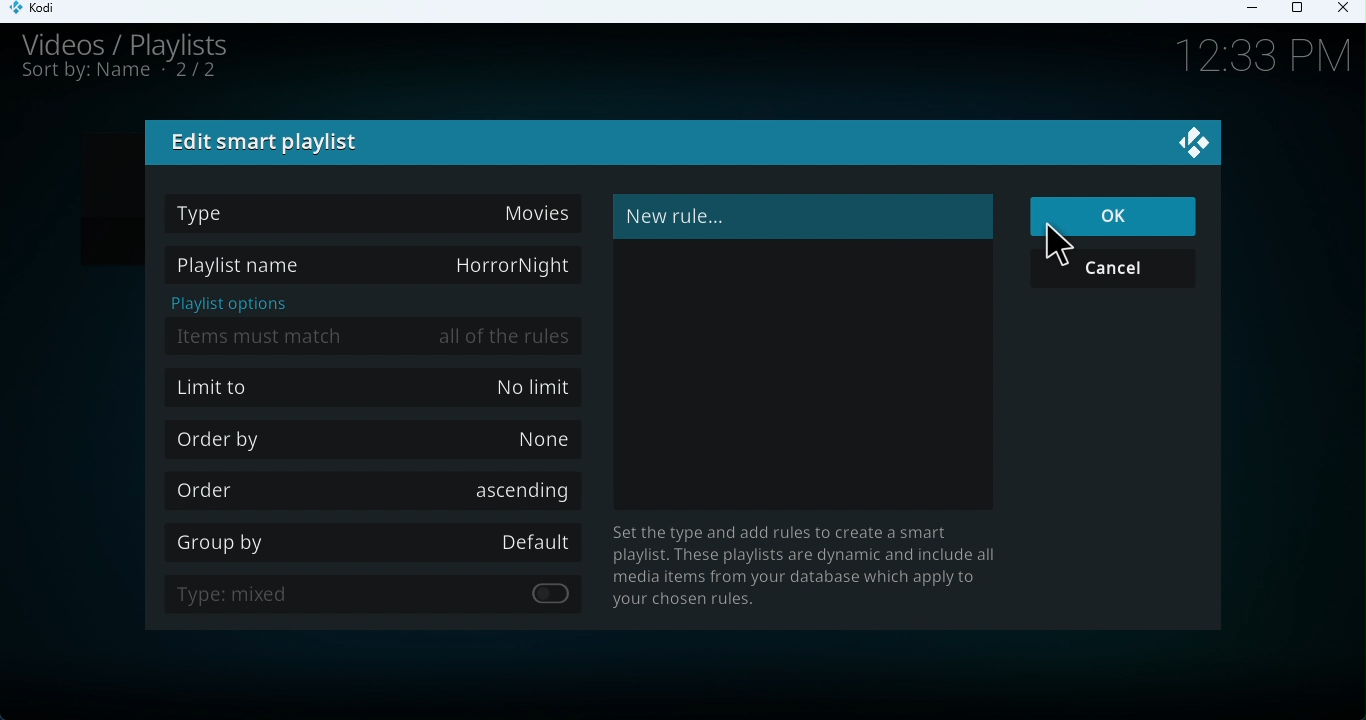  Describe the element at coordinates (369, 489) in the screenshot. I see `Order` at that location.